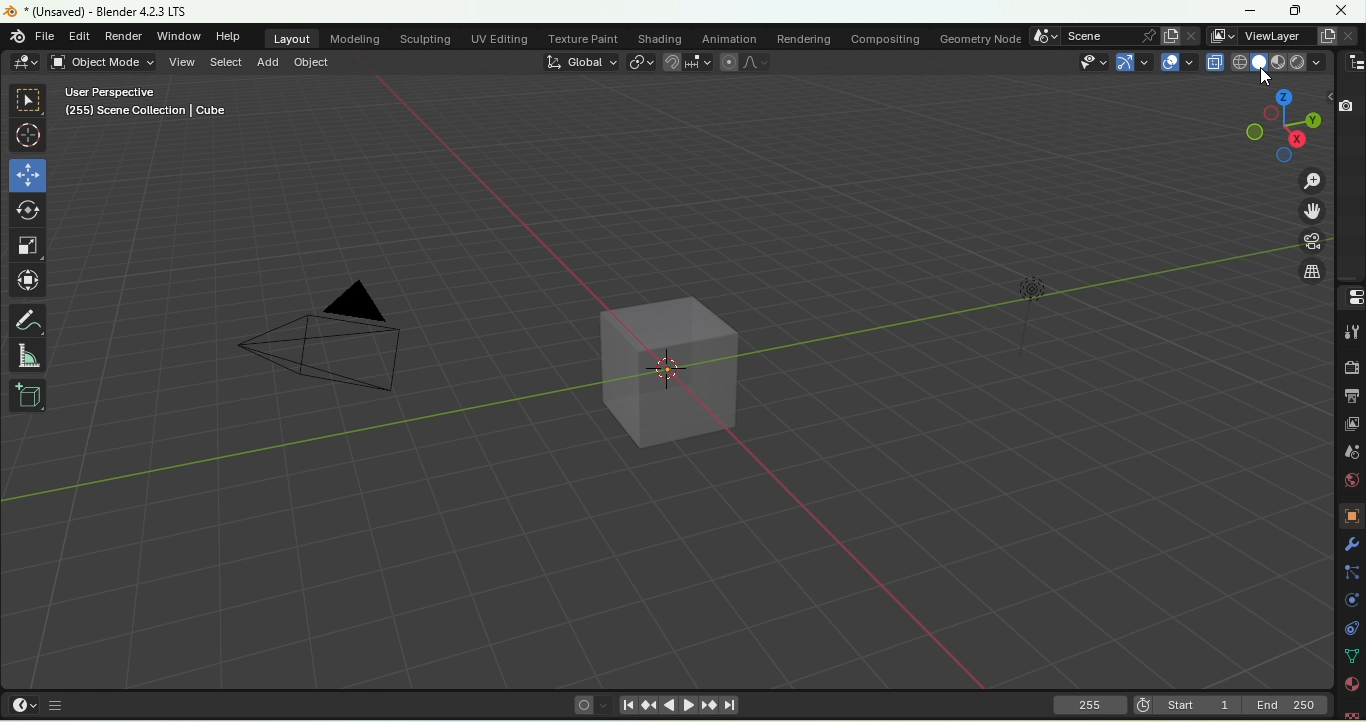 This screenshot has width=1366, height=722. Describe the element at coordinates (1134, 62) in the screenshot. I see `Show Gizmo` at that location.